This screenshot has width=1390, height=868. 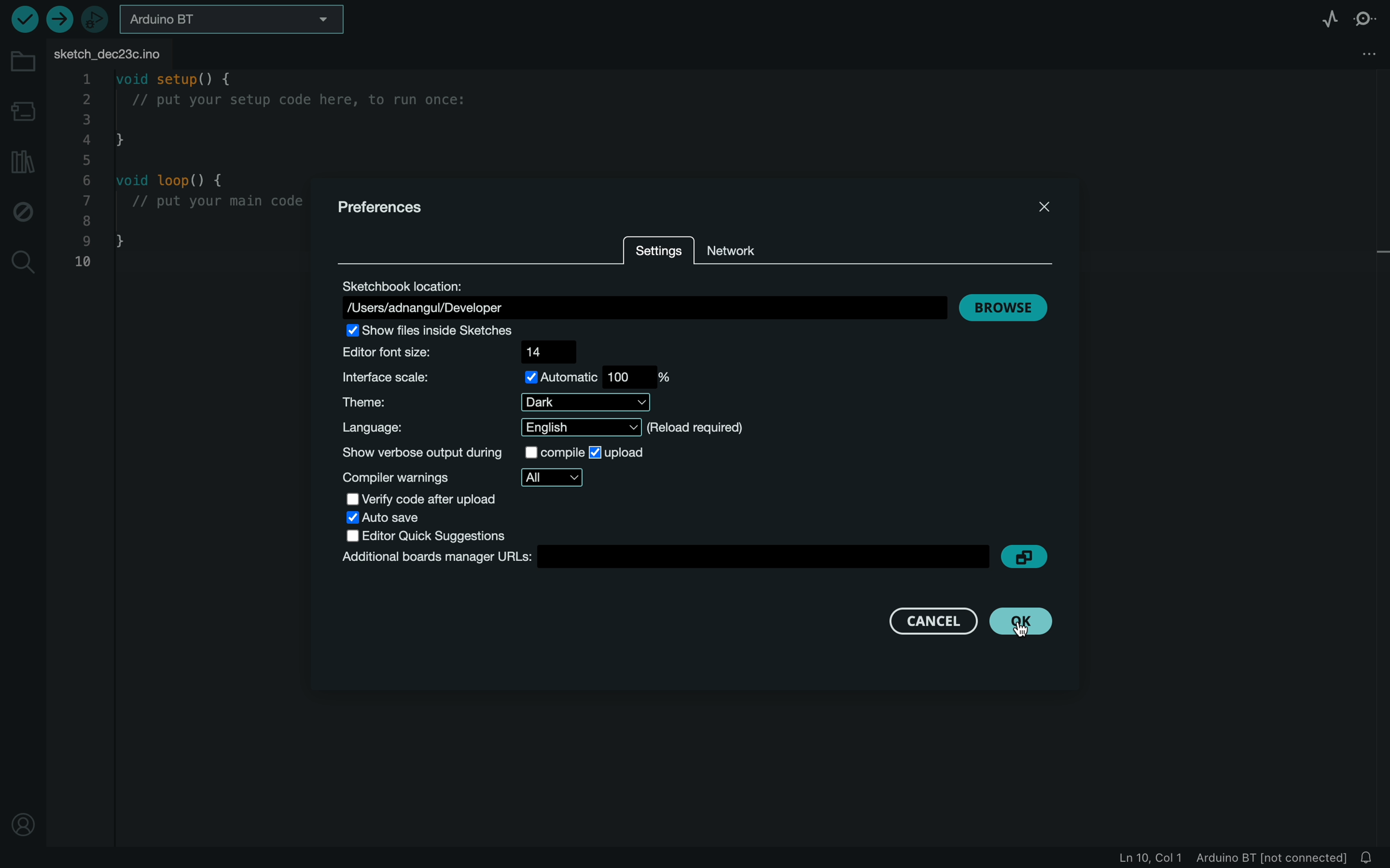 What do you see at coordinates (1045, 210) in the screenshot?
I see `close` at bounding box center [1045, 210].